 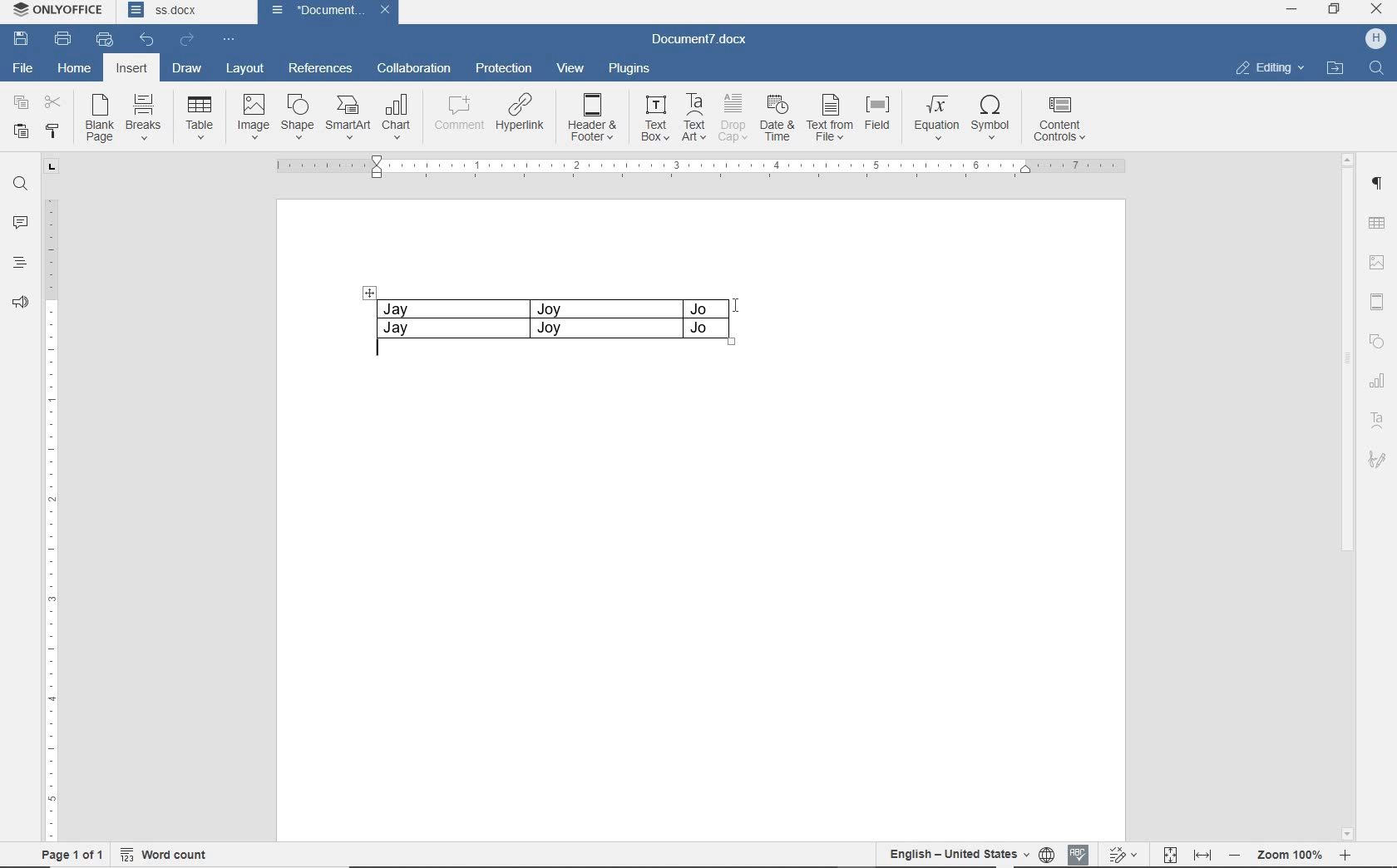 What do you see at coordinates (1377, 420) in the screenshot?
I see `TEXT ART` at bounding box center [1377, 420].